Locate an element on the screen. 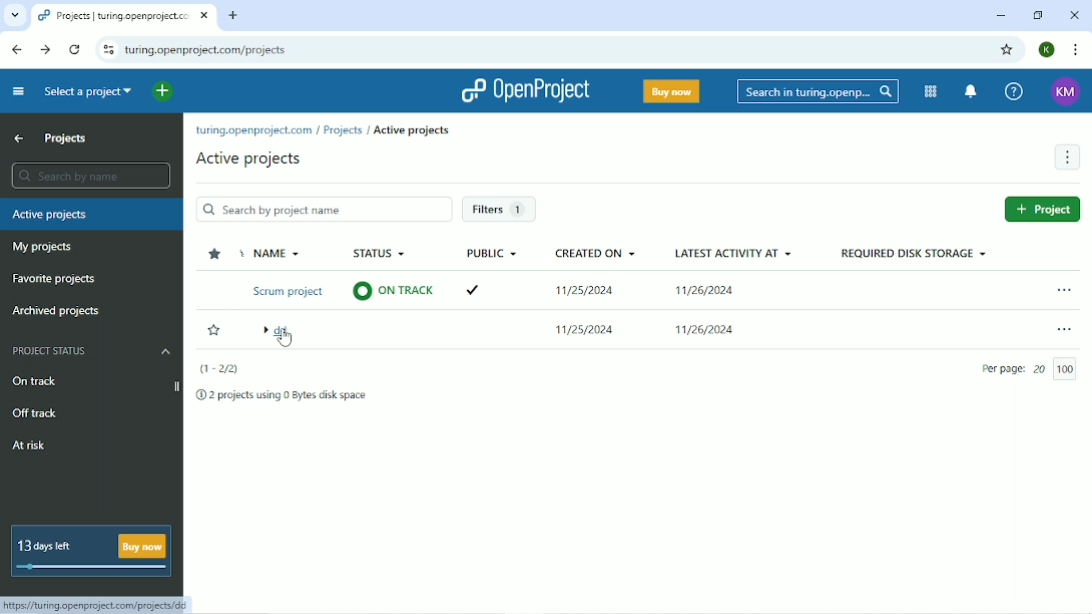 This screenshot has width=1092, height=614. Scrum project is located at coordinates (279, 290).